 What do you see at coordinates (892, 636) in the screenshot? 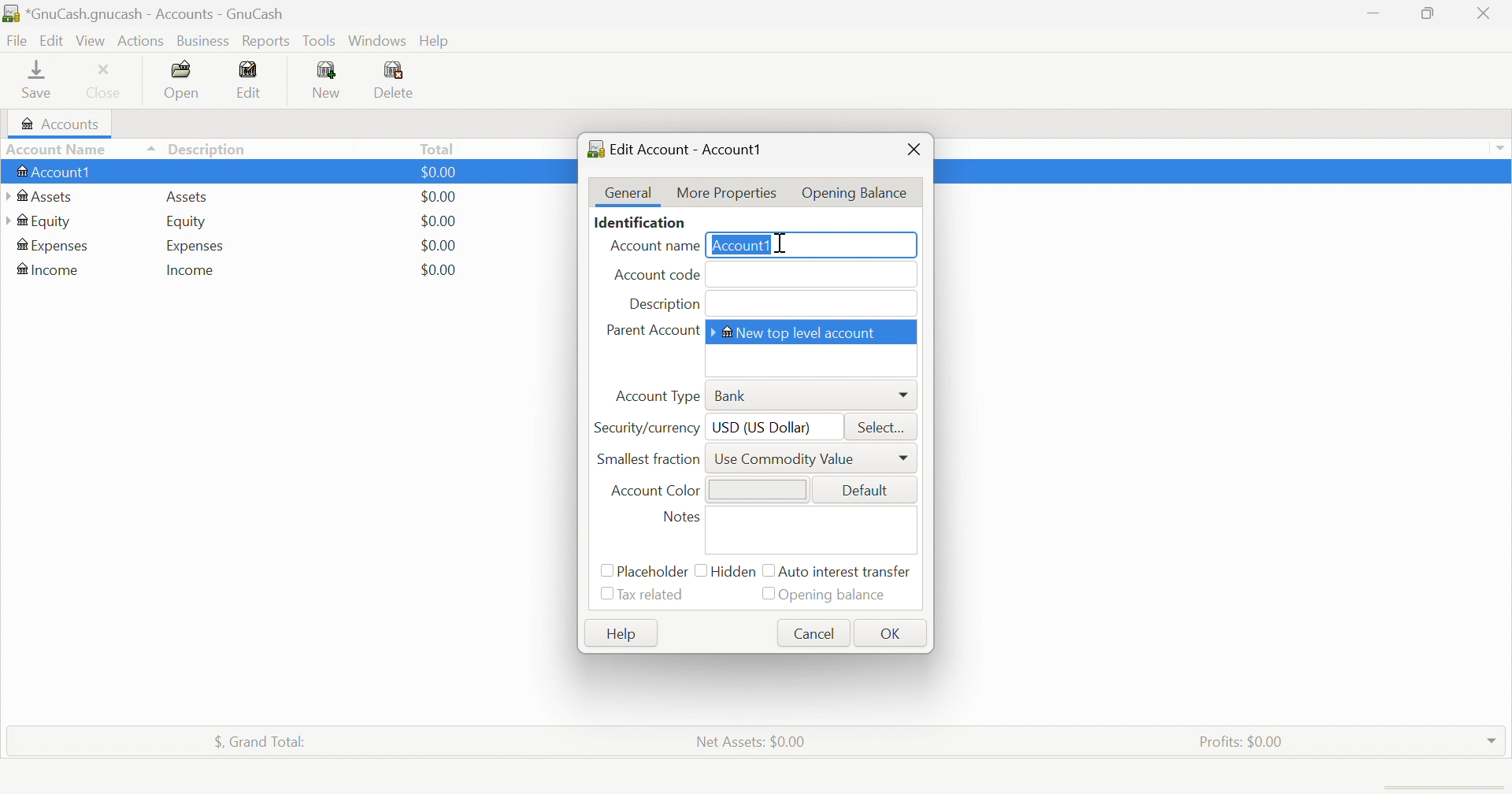
I see `OK` at bounding box center [892, 636].